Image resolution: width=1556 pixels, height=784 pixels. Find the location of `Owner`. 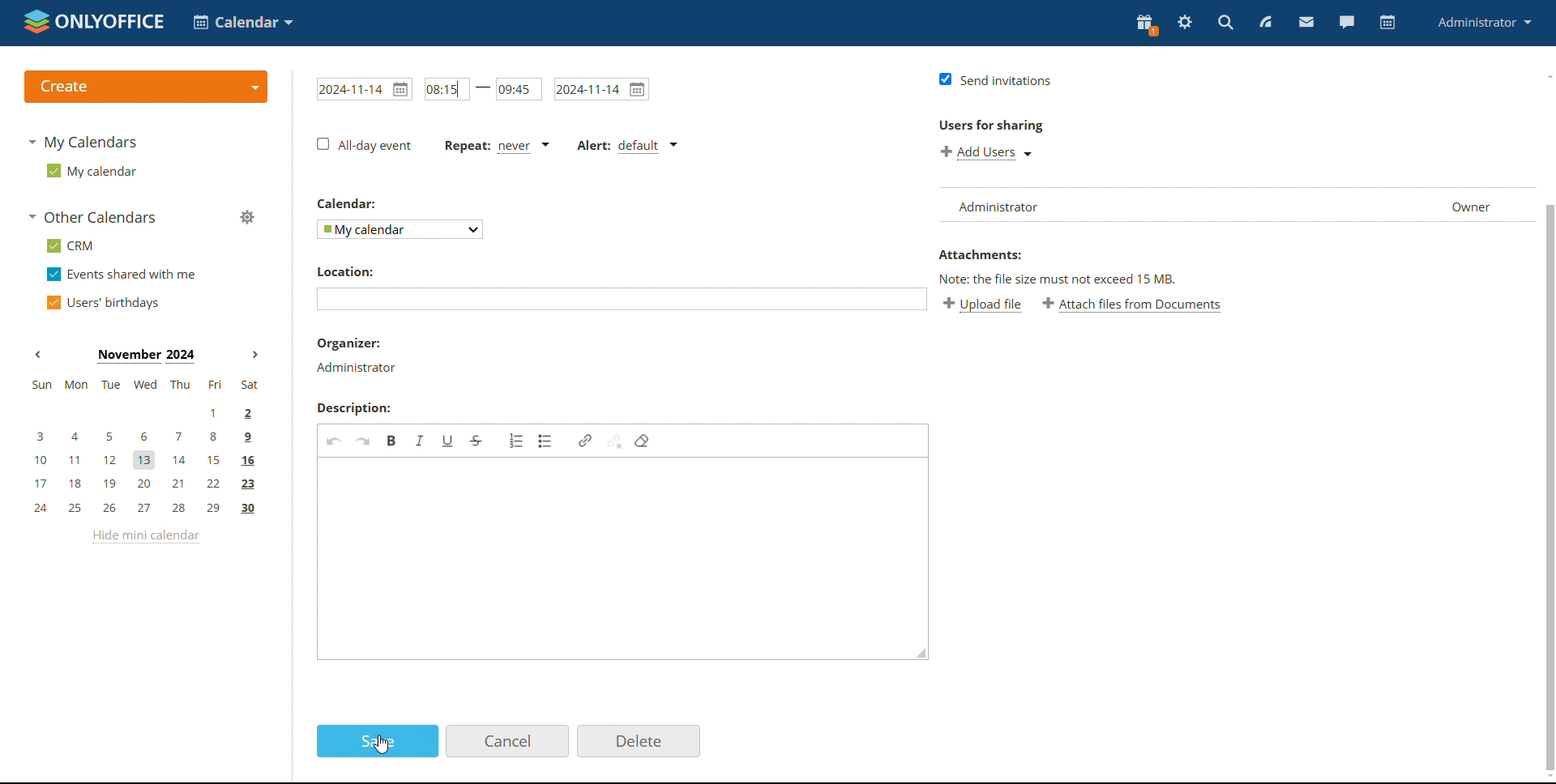

Owner is located at coordinates (1473, 203).